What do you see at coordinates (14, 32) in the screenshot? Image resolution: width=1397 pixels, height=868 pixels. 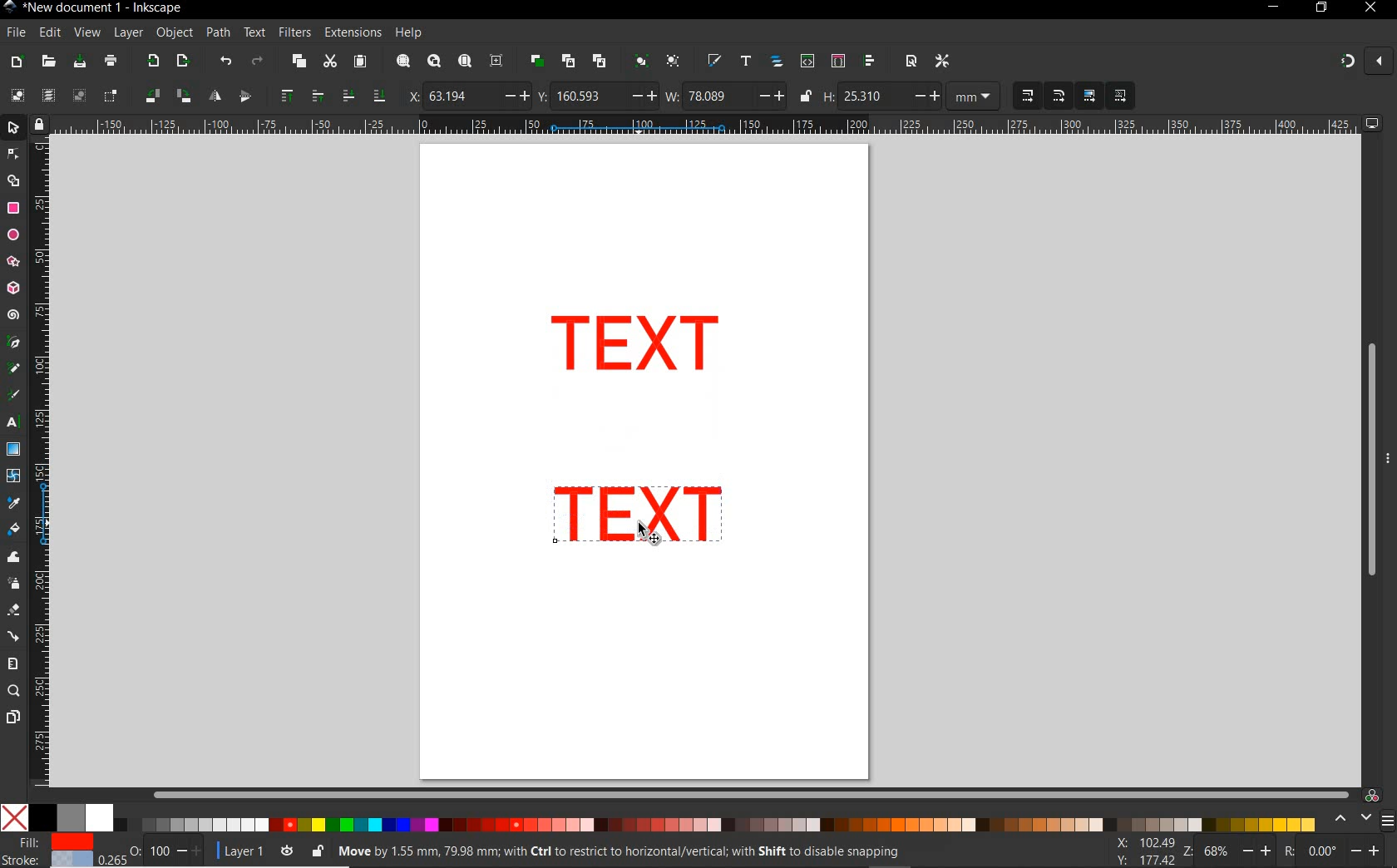 I see `file` at bounding box center [14, 32].